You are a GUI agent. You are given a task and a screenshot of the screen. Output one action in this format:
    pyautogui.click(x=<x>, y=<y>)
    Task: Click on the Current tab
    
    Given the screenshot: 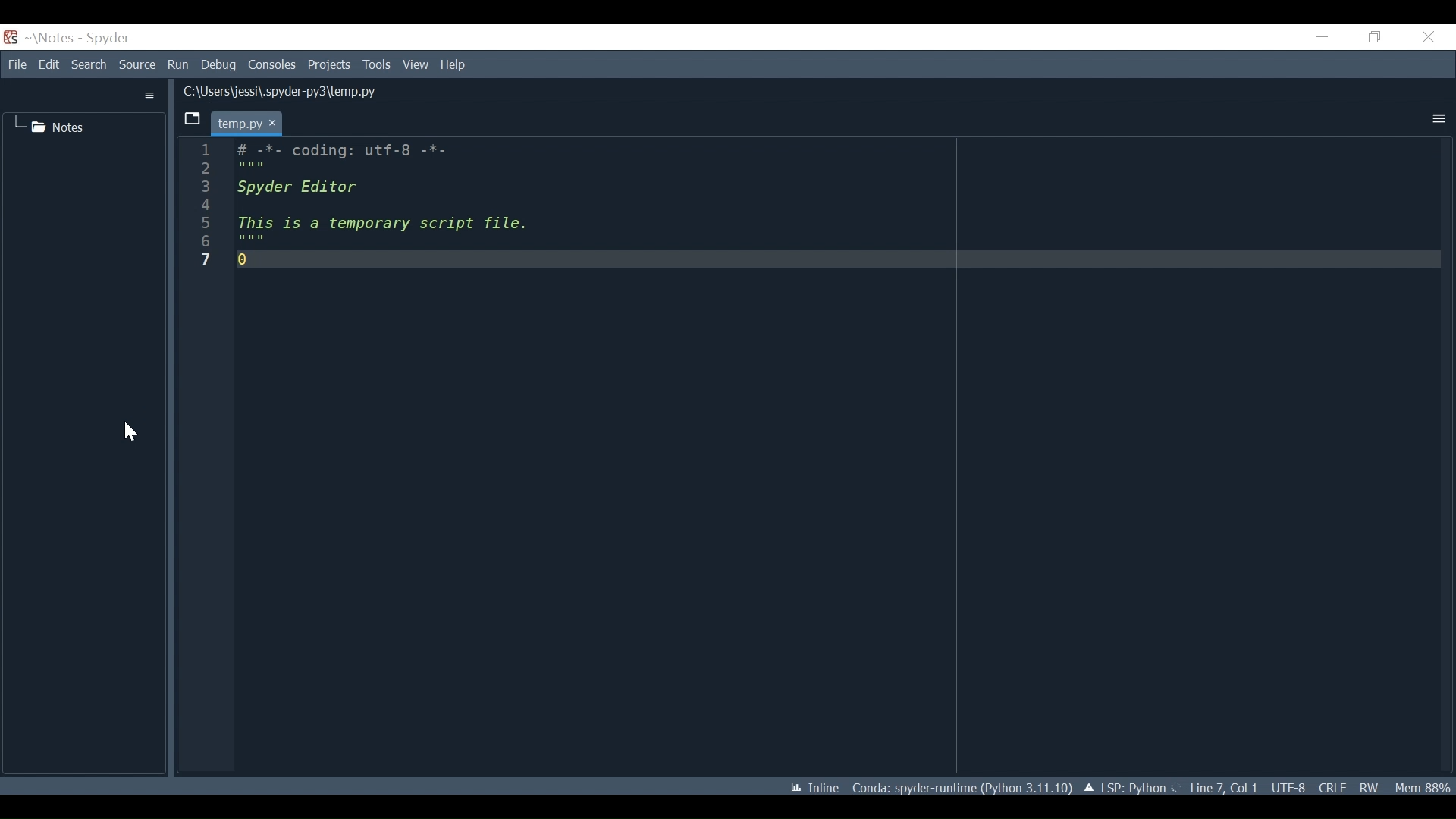 What is the action you would take?
    pyautogui.click(x=245, y=124)
    